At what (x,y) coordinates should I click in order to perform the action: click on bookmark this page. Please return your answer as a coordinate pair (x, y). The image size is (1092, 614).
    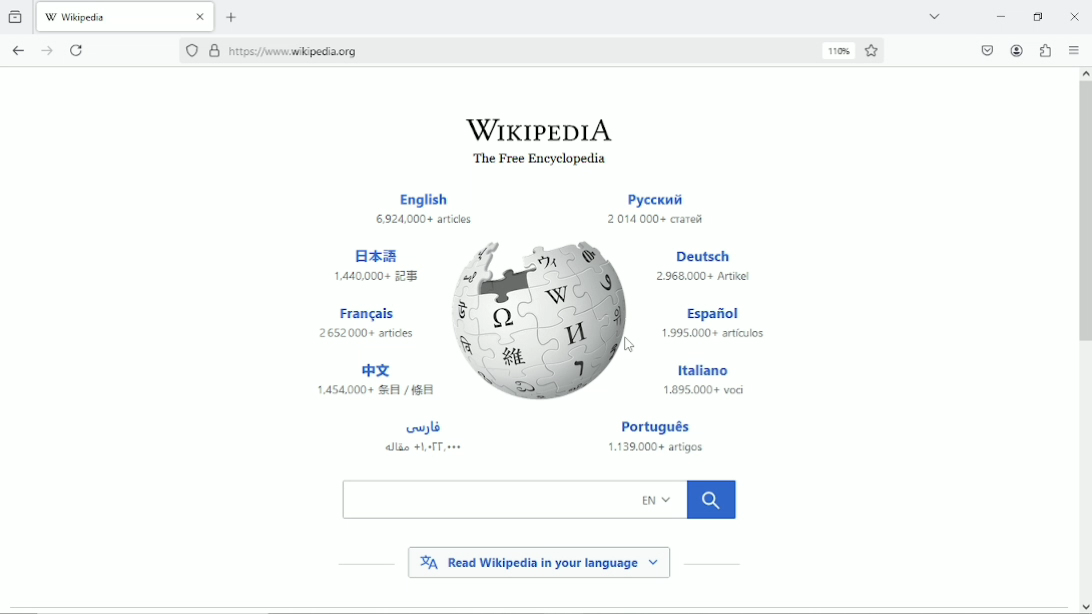
    Looking at the image, I should click on (873, 51).